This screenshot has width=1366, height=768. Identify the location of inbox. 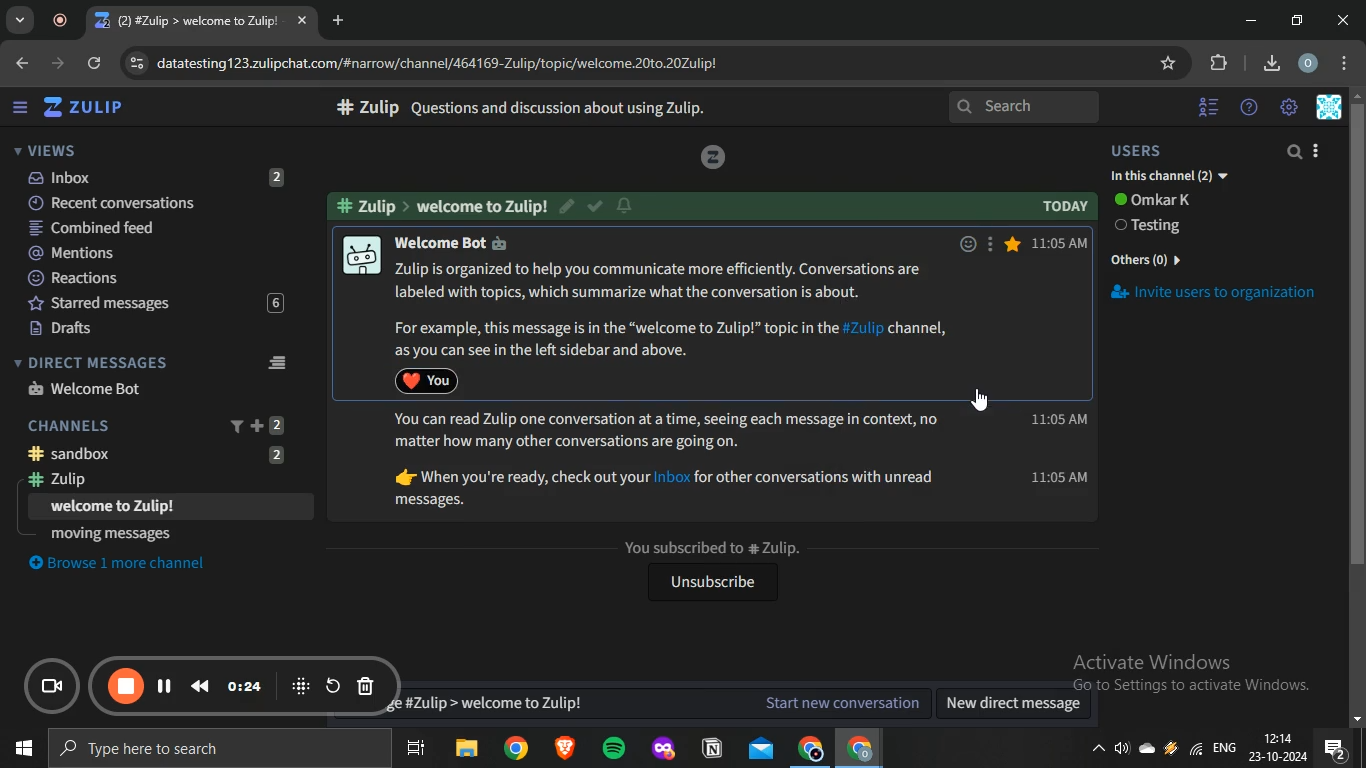
(153, 177).